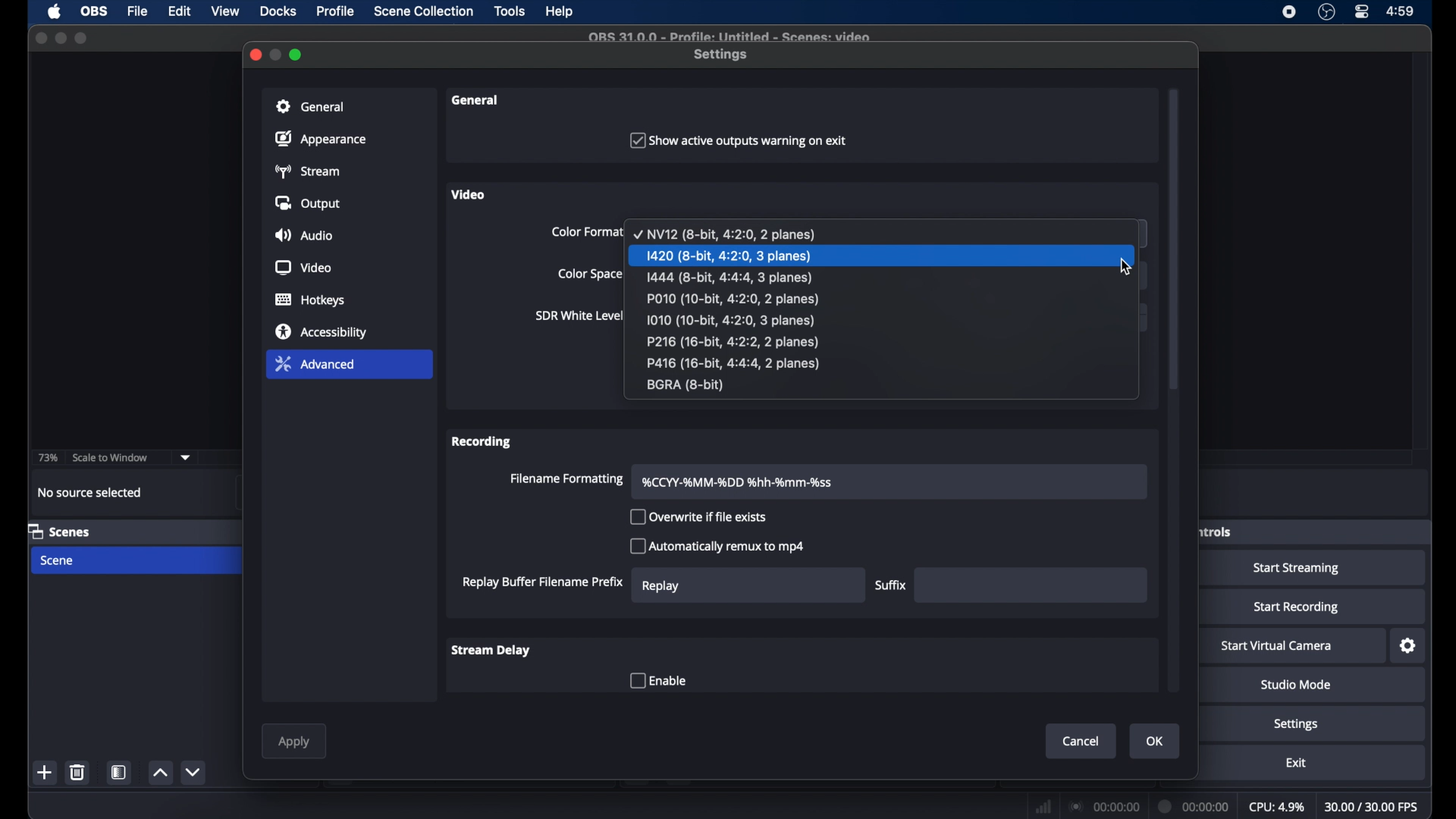  What do you see at coordinates (717, 546) in the screenshot?
I see `automatically remux to mp4` at bounding box center [717, 546].